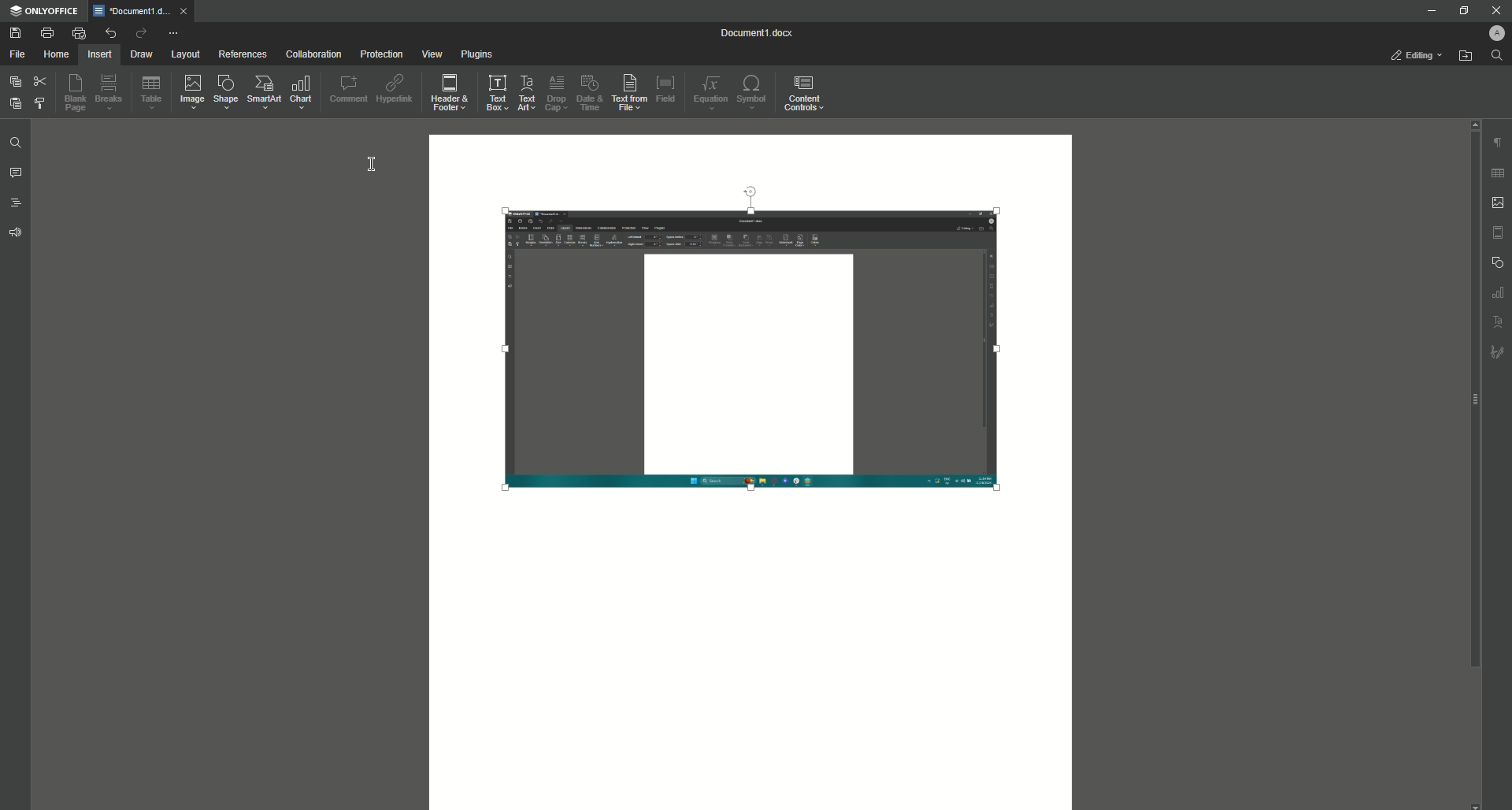 This screenshot has width=1512, height=810. What do you see at coordinates (381, 54) in the screenshot?
I see `Protection` at bounding box center [381, 54].